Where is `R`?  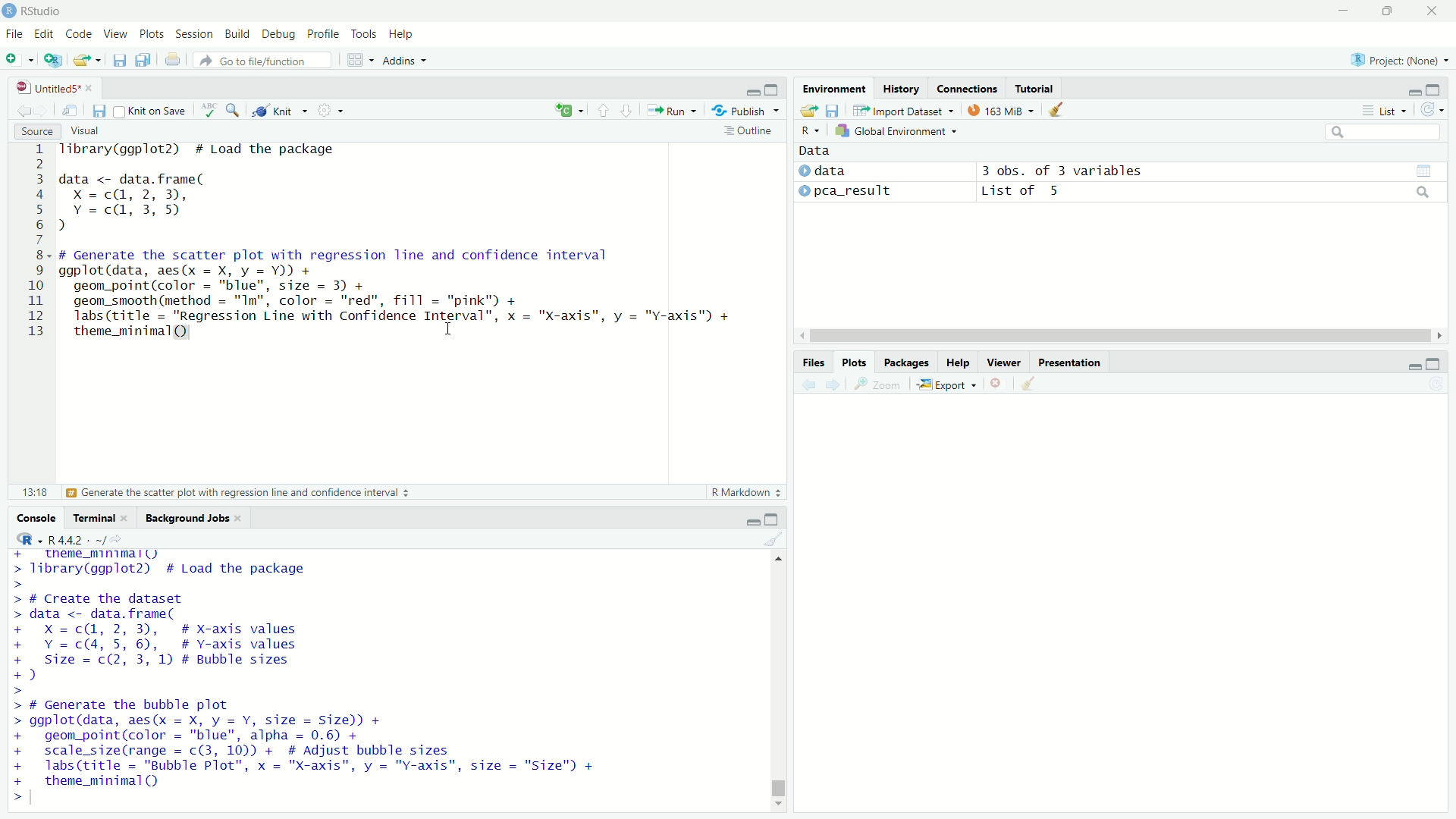 R is located at coordinates (26, 539).